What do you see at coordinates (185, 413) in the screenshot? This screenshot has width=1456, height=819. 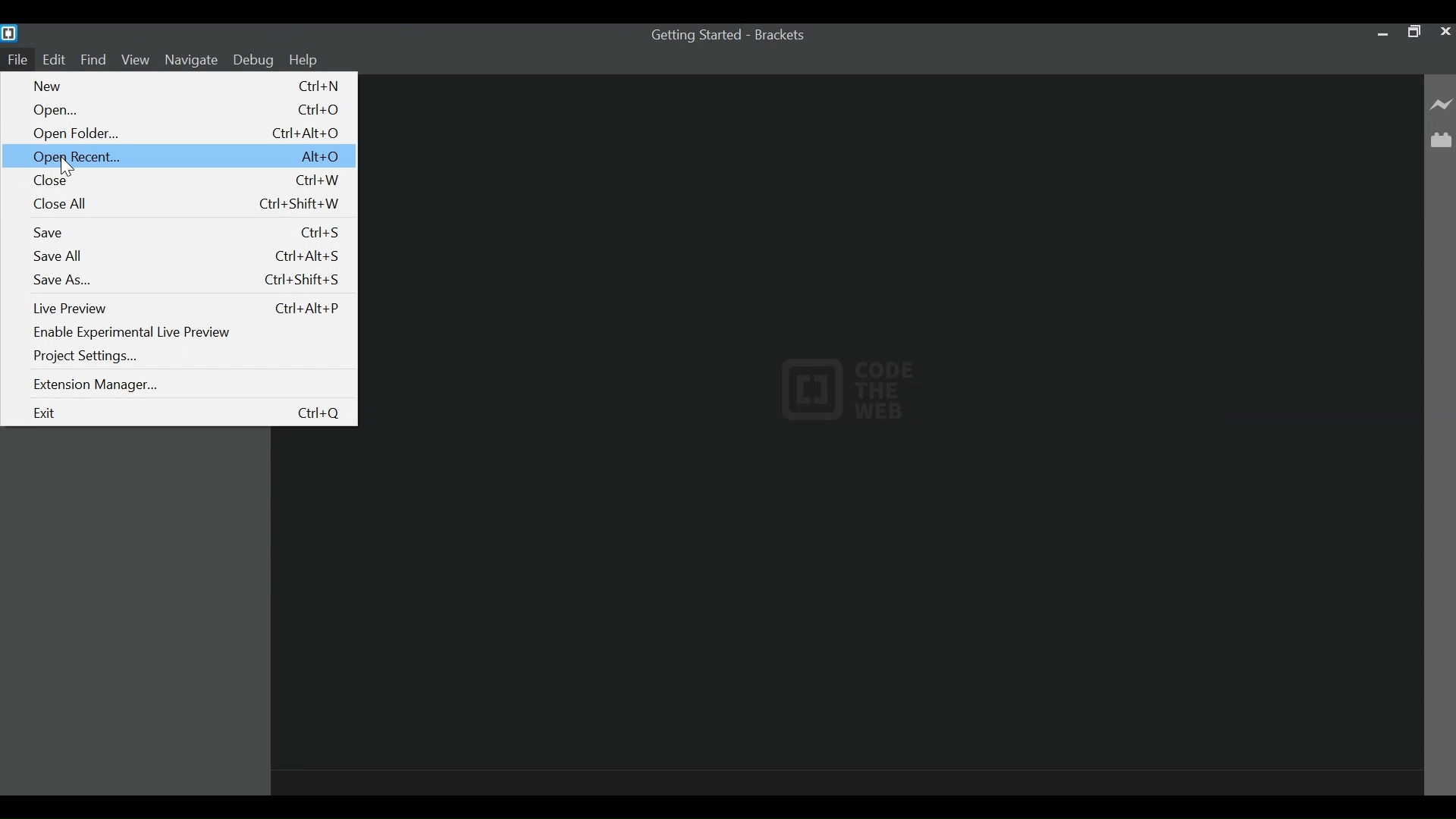 I see `Exit` at bounding box center [185, 413].